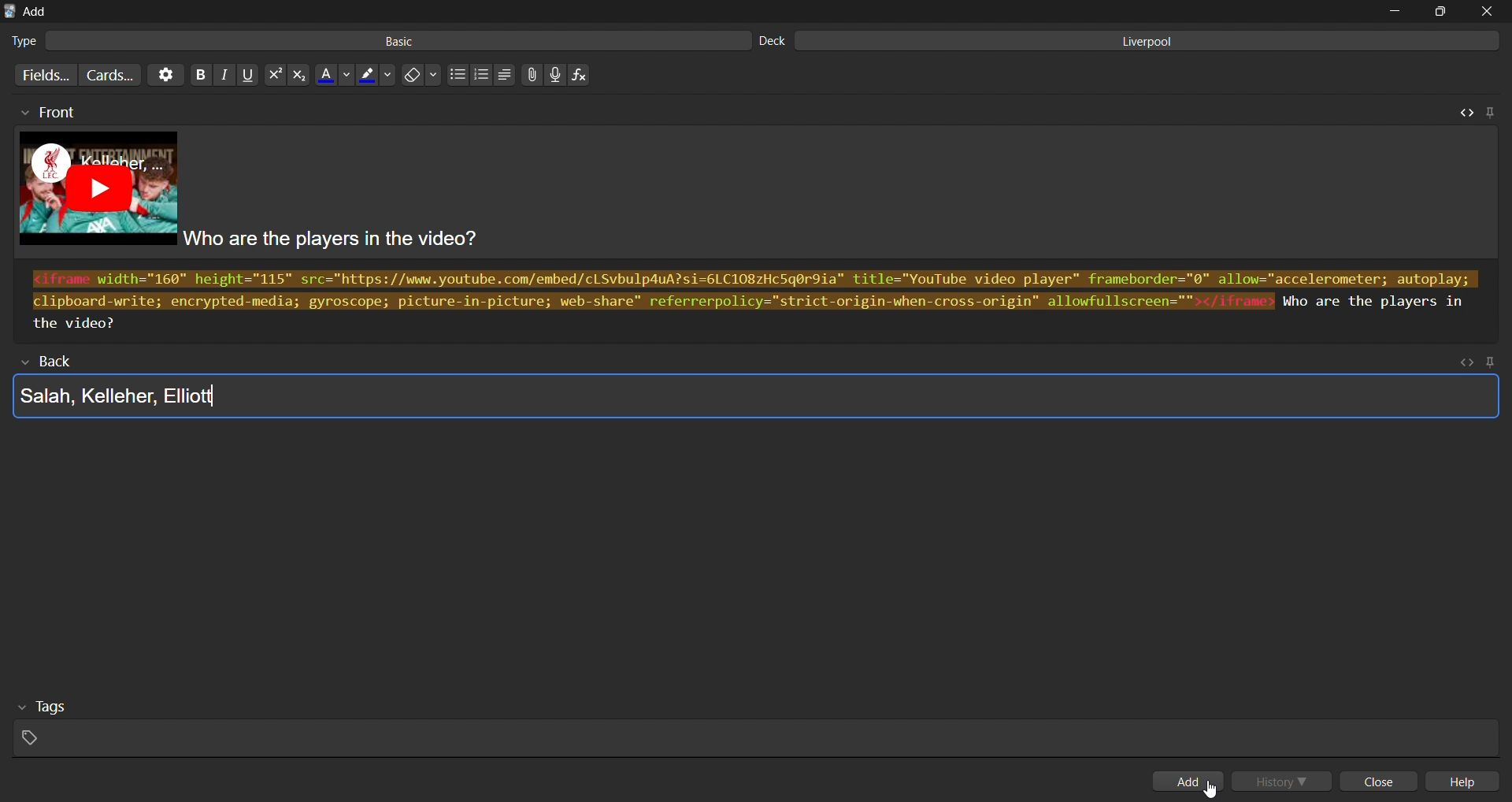  What do you see at coordinates (109, 74) in the screenshot?
I see `customize card templates` at bounding box center [109, 74].